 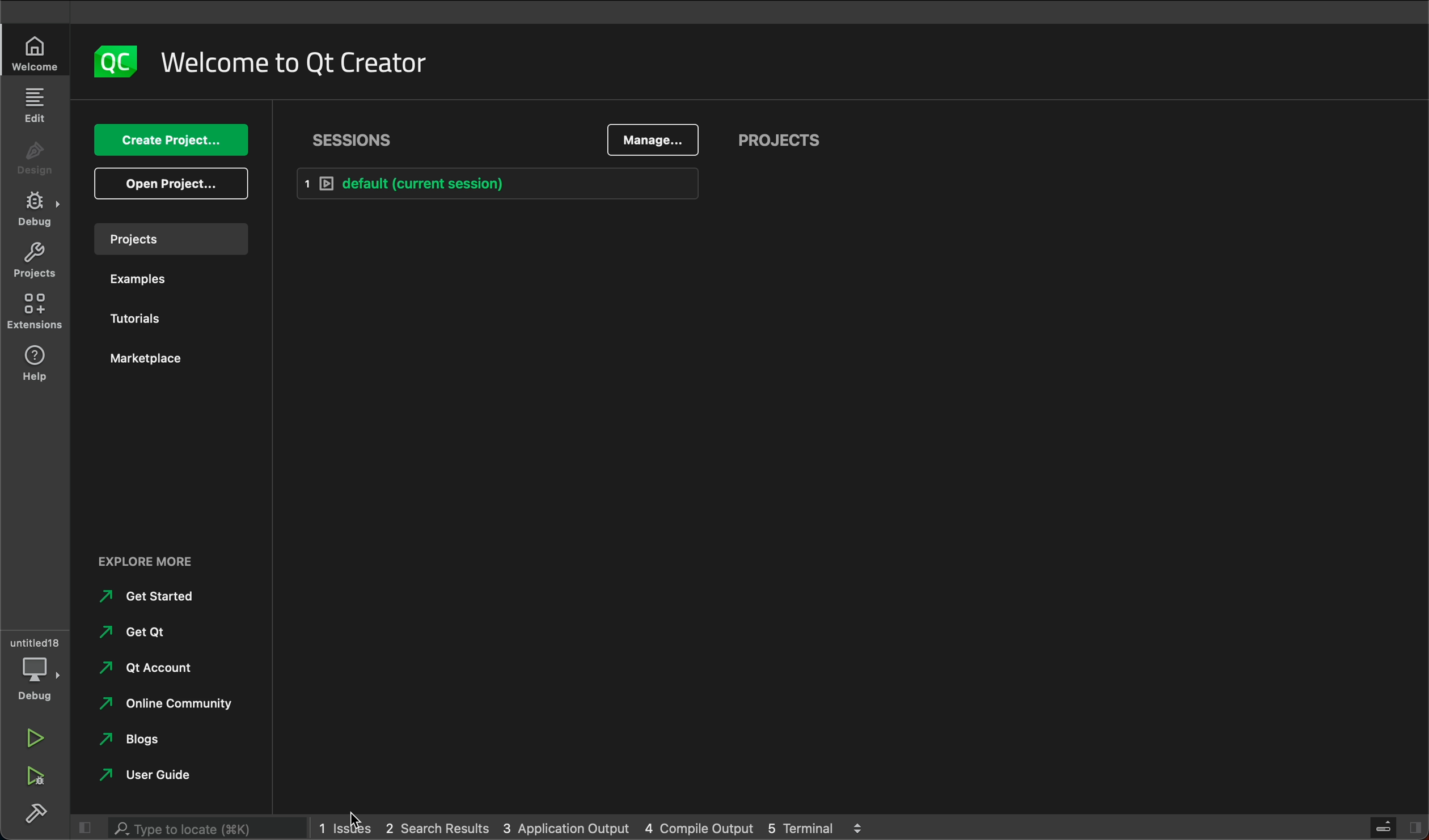 What do you see at coordinates (783, 137) in the screenshot?
I see `projects` at bounding box center [783, 137].